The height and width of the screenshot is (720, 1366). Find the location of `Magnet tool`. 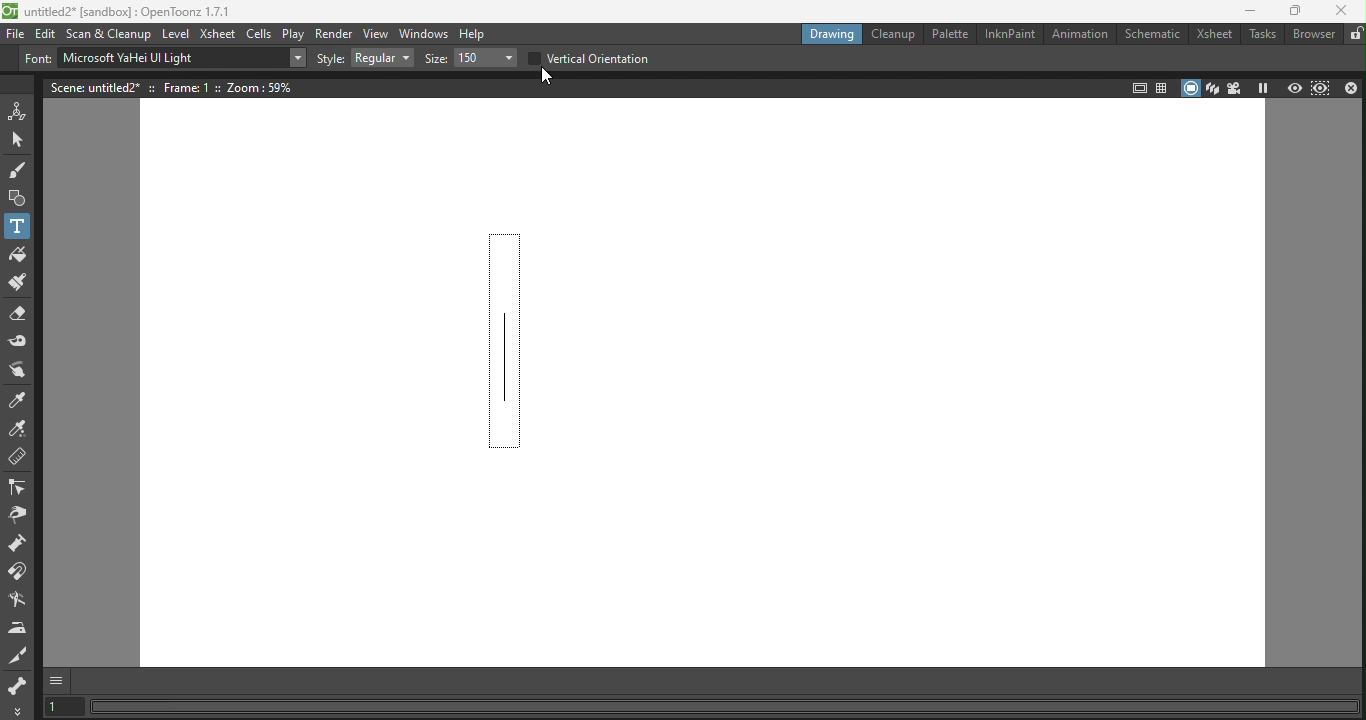

Magnet tool is located at coordinates (18, 570).